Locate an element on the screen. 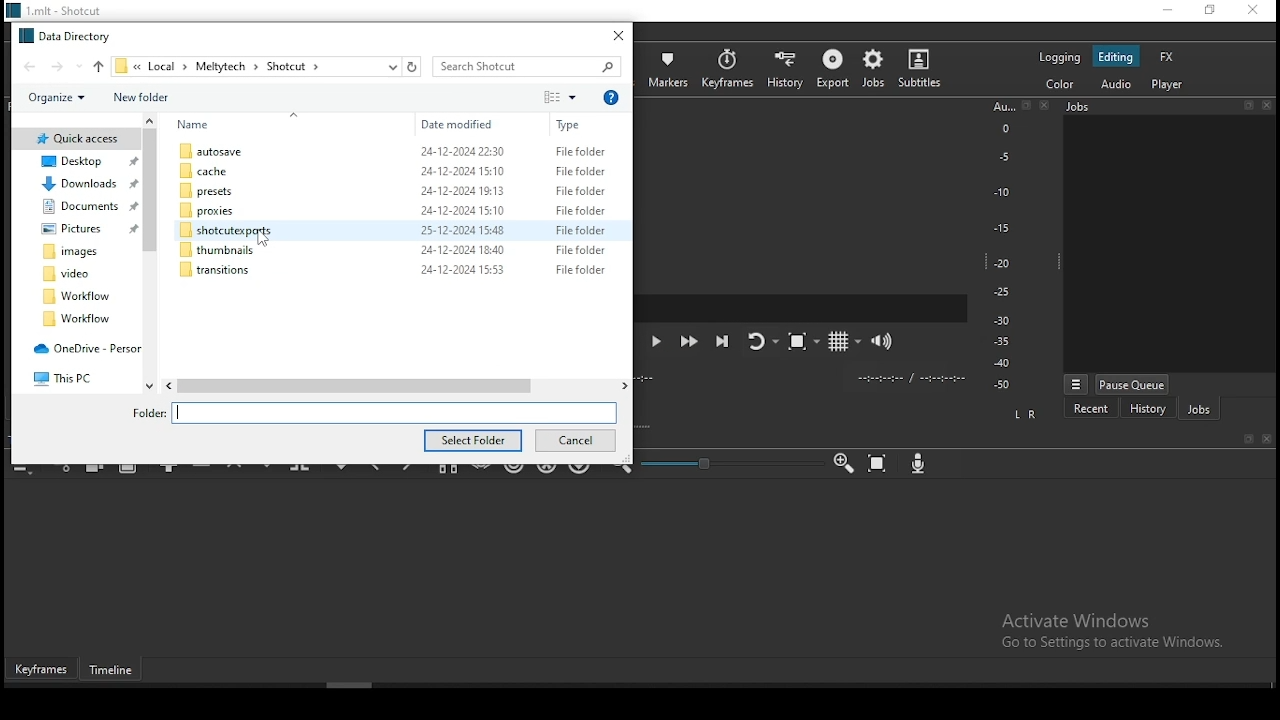 This screenshot has height=720, width=1280. select folder is located at coordinates (473, 440).